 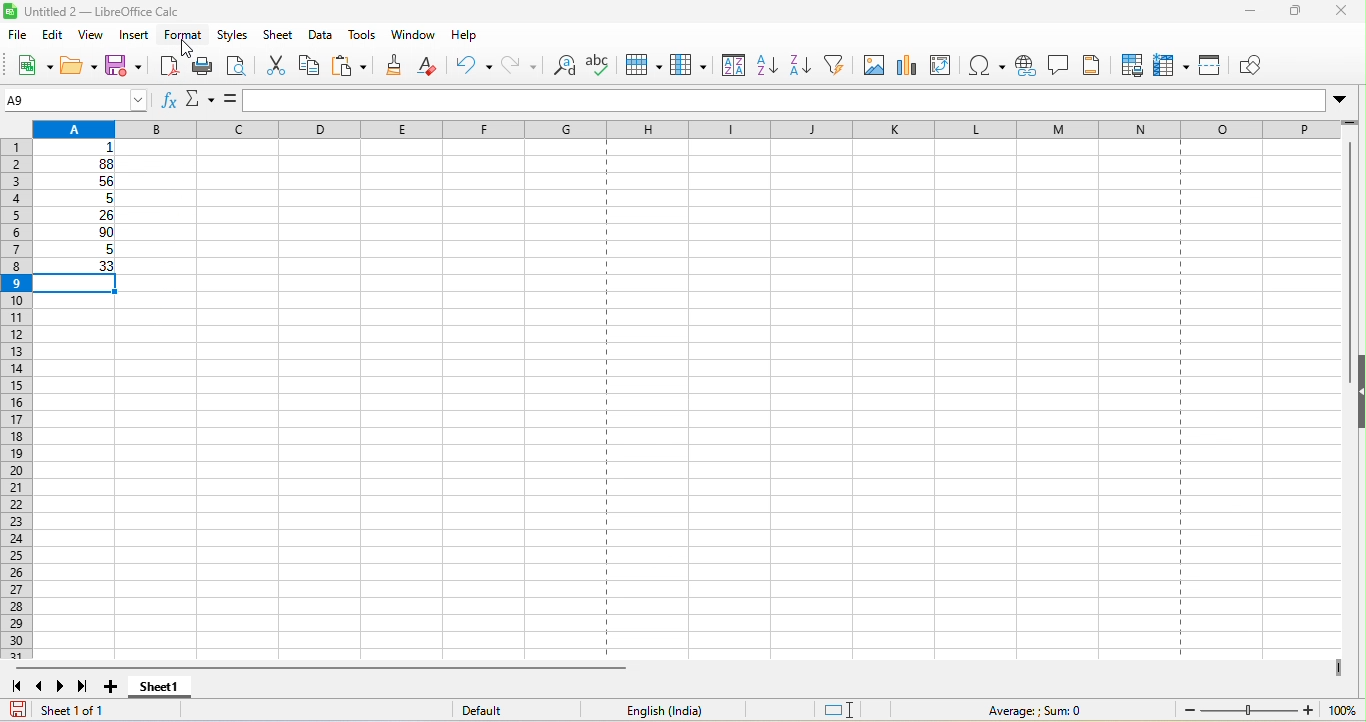 I want to click on default, so click(x=504, y=711).